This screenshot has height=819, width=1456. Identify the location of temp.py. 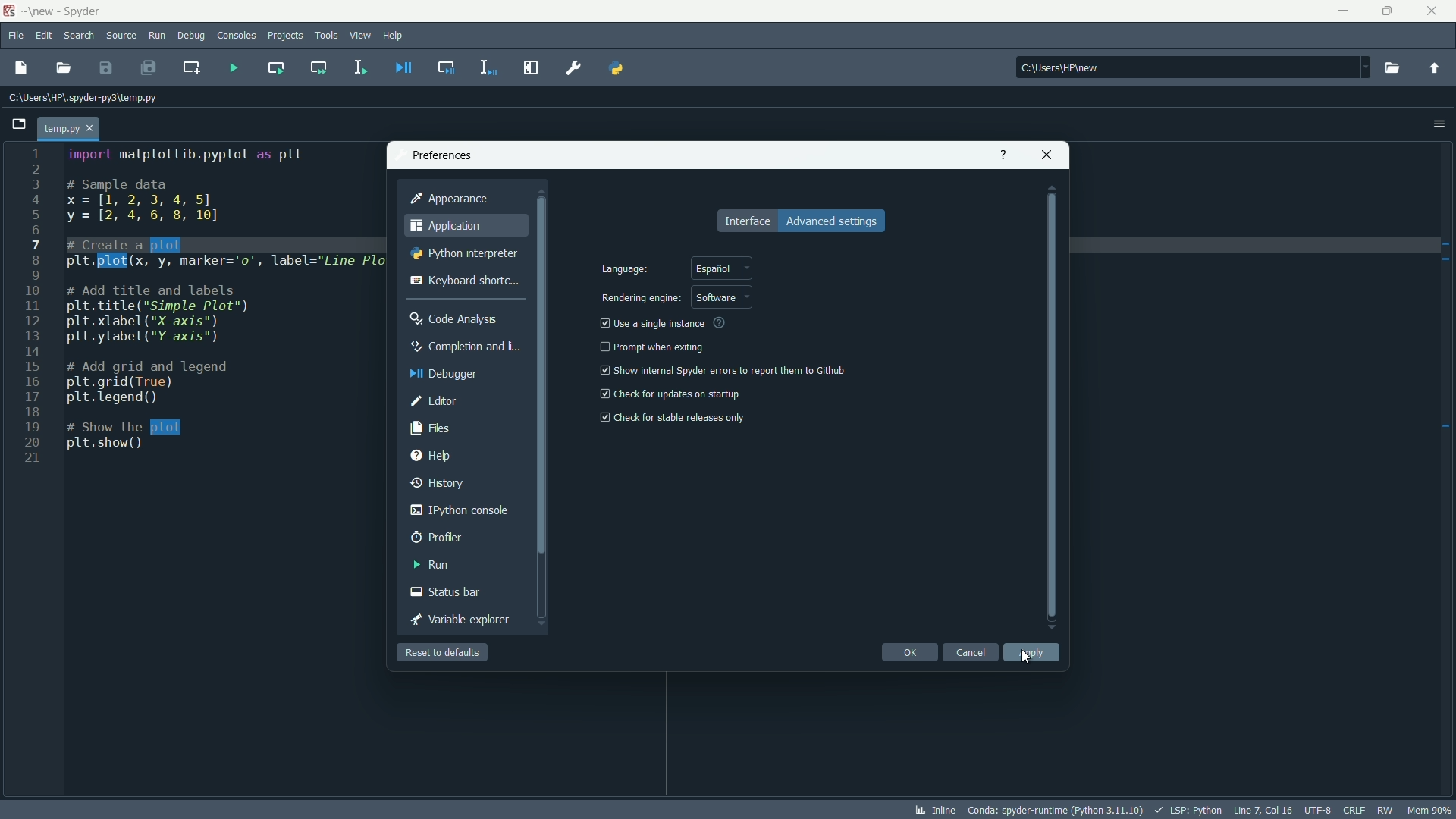
(69, 128).